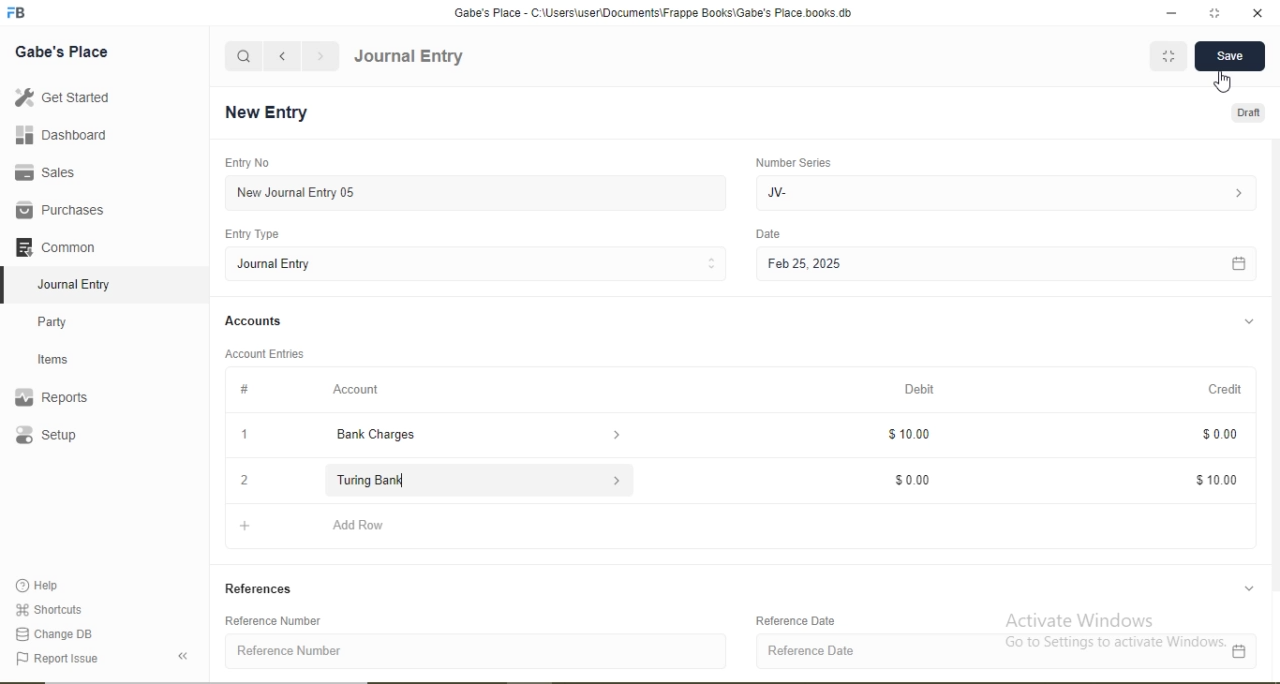 This screenshot has width=1280, height=684. Describe the element at coordinates (55, 633) in the screenshot. I see `Change DB` at that location.